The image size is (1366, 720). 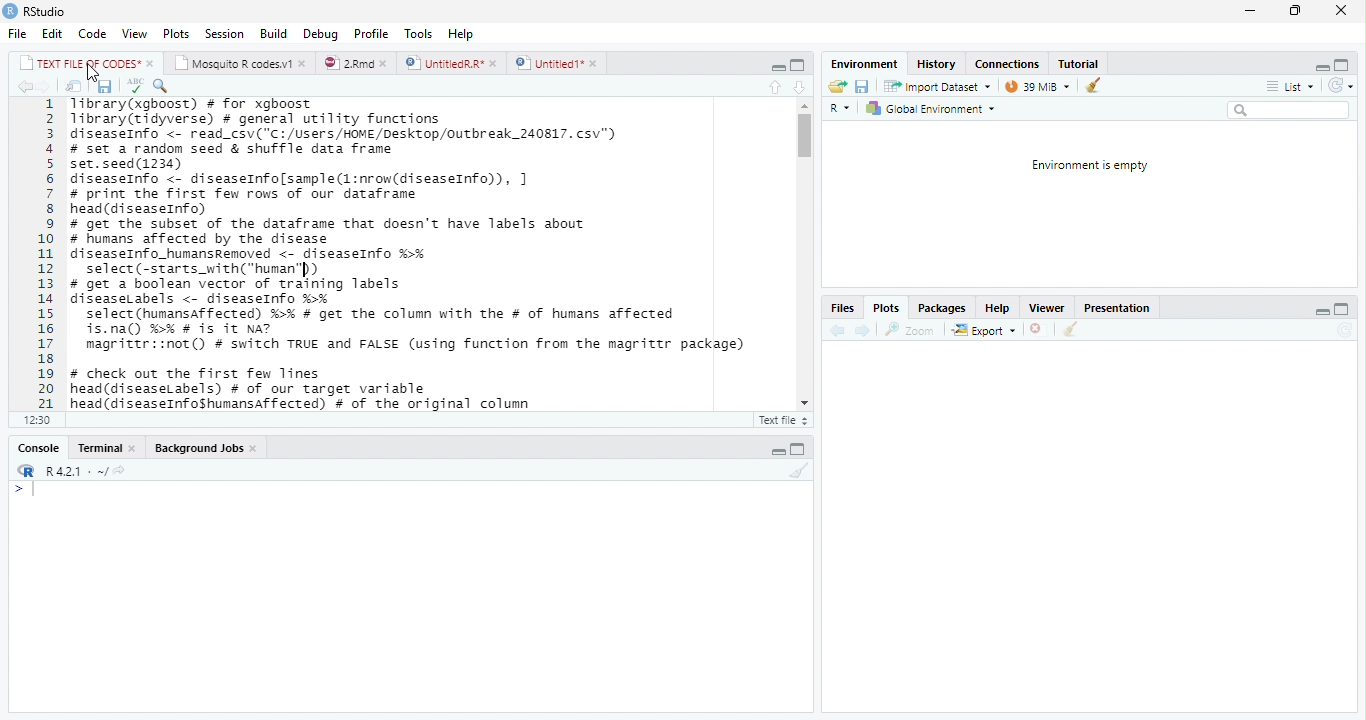 I want to click on Session, so click(x=225, y=33).